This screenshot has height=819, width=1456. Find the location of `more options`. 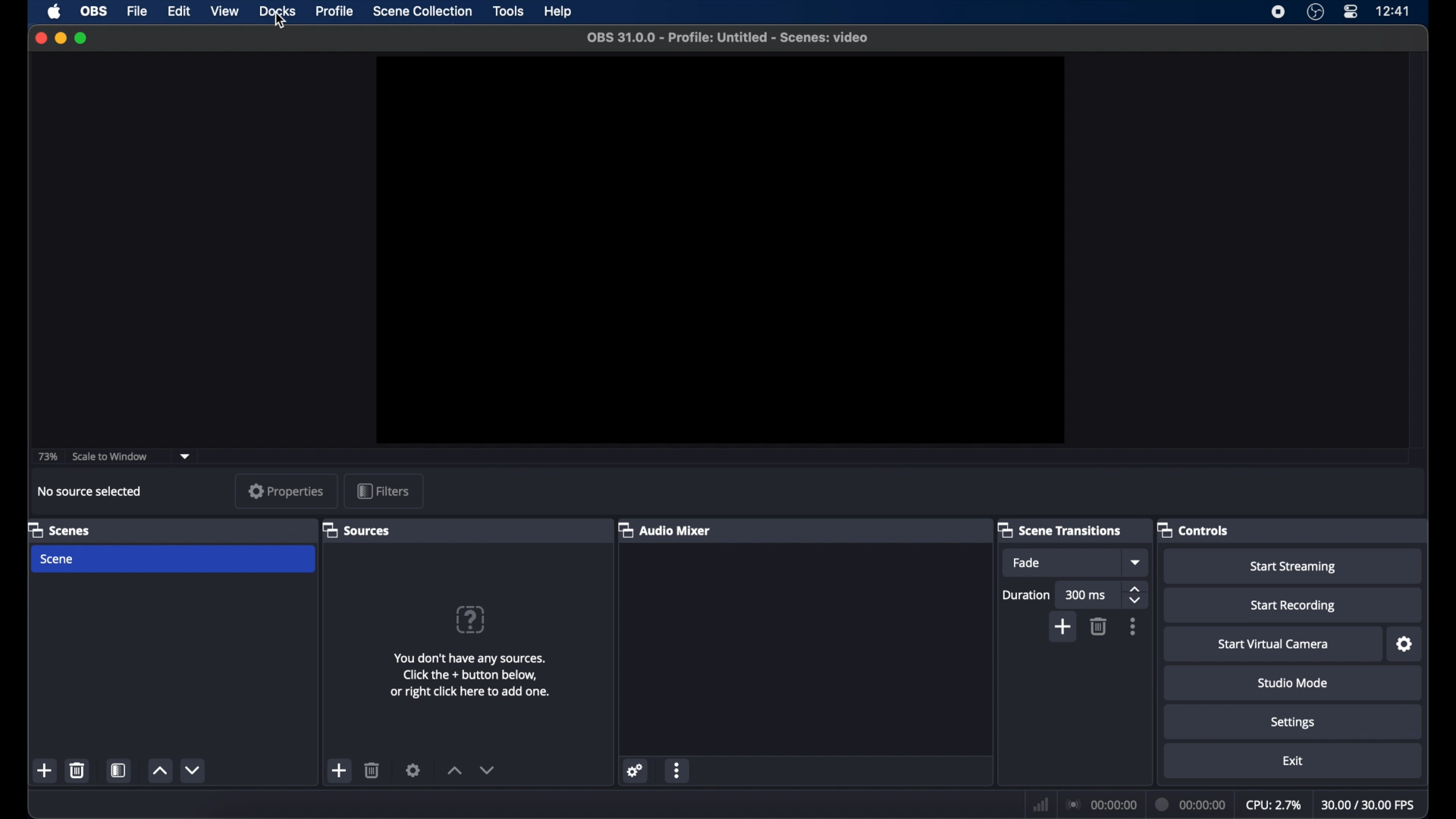

more options is located at coordinates (1134, 627).